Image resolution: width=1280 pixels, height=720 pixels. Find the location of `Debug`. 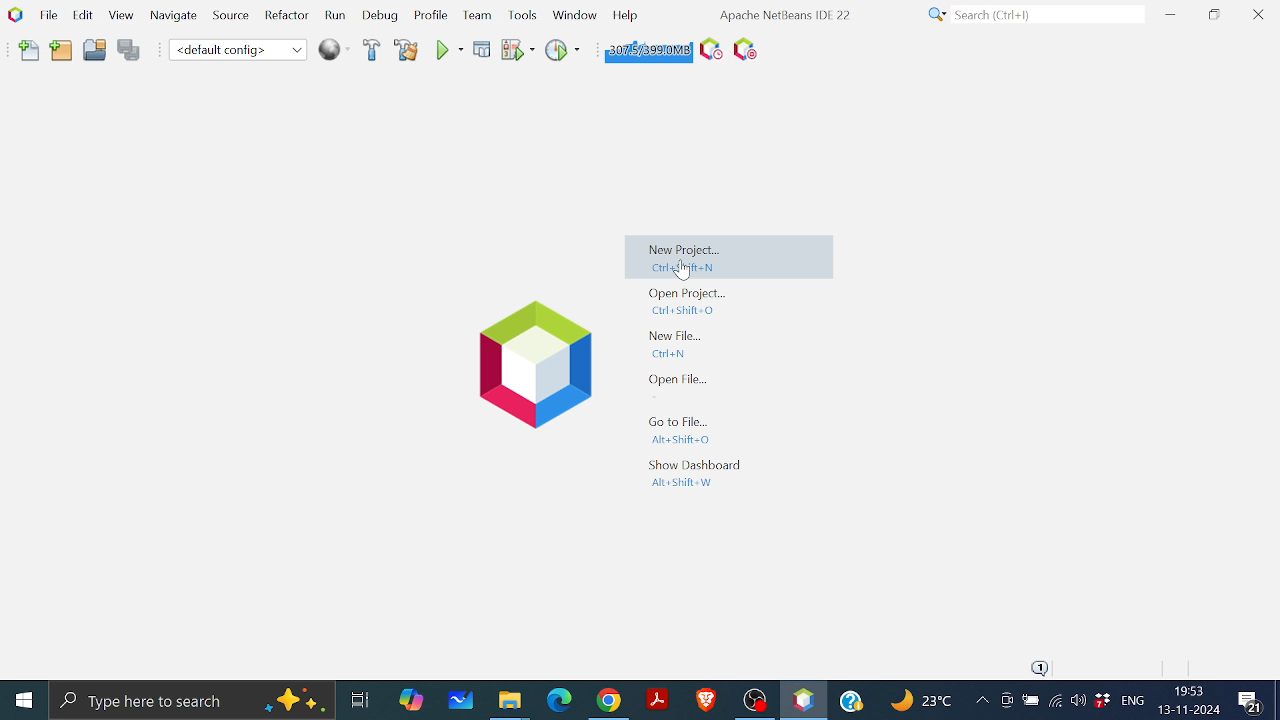

Debug is located at coordinates (482, 49).